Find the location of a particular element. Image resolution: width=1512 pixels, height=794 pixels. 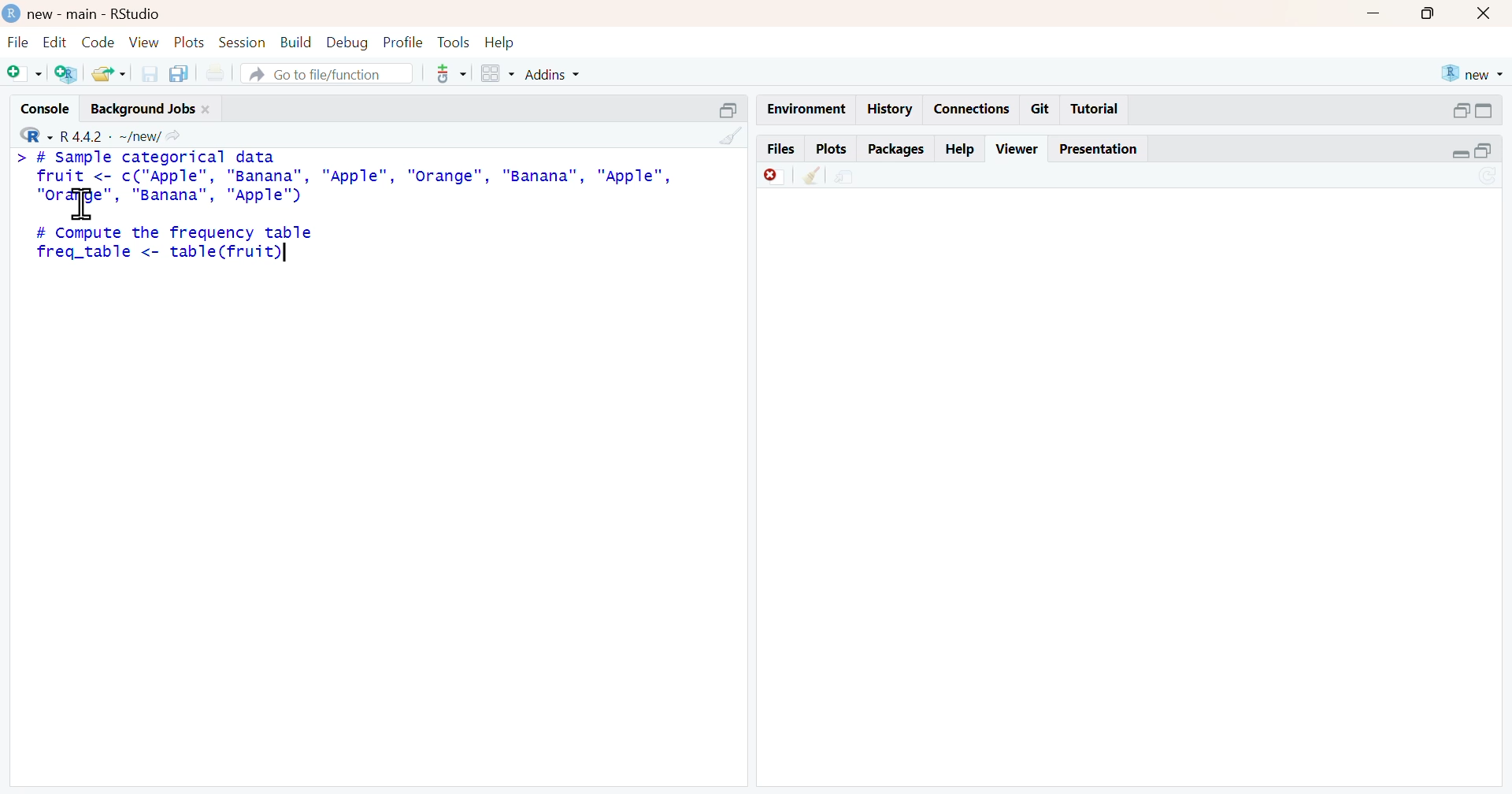

expand is located at coordinates (1459, 112).